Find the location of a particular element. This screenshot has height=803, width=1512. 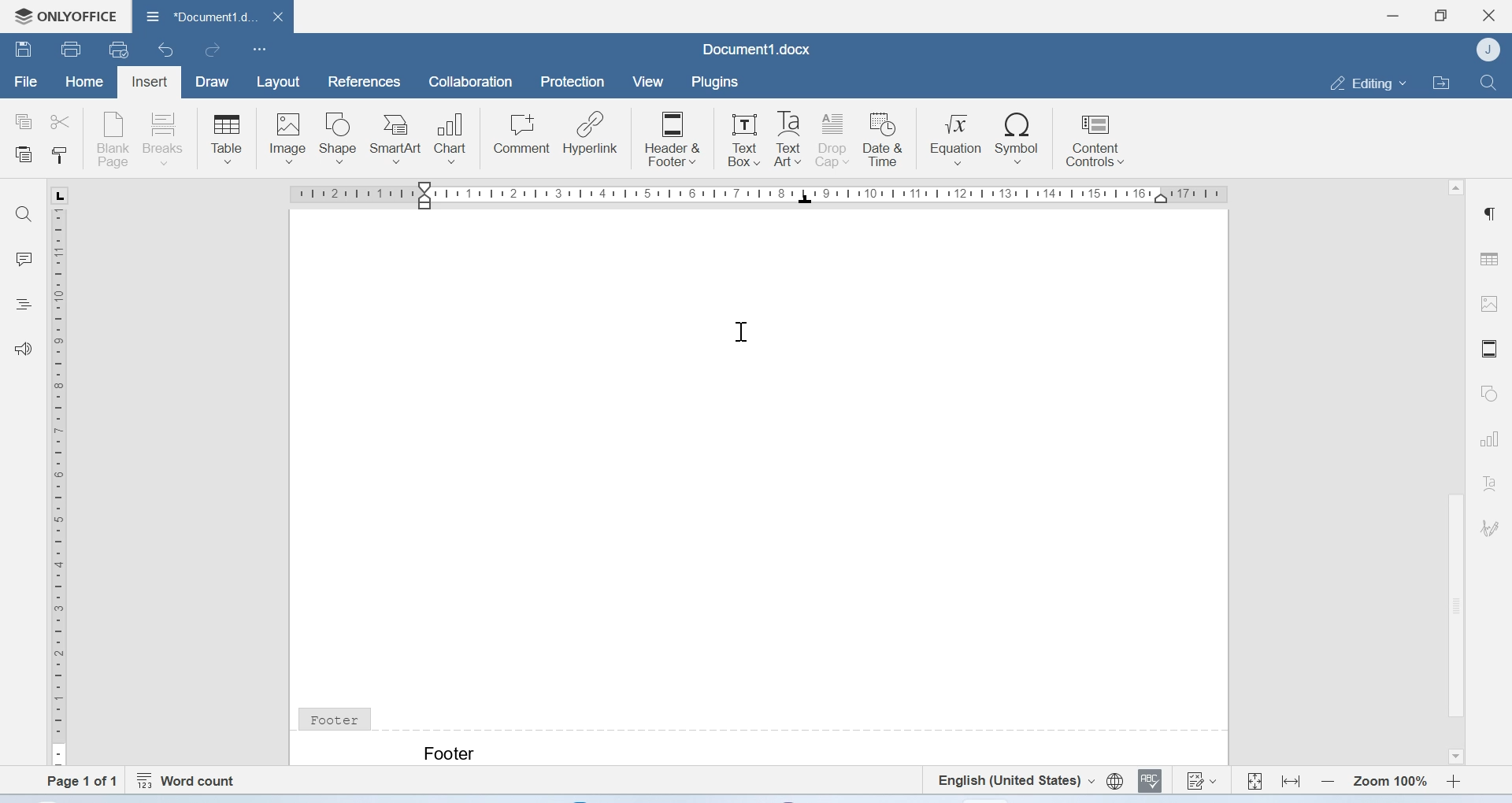

Header and footer is located at coordinates (1488, 349).